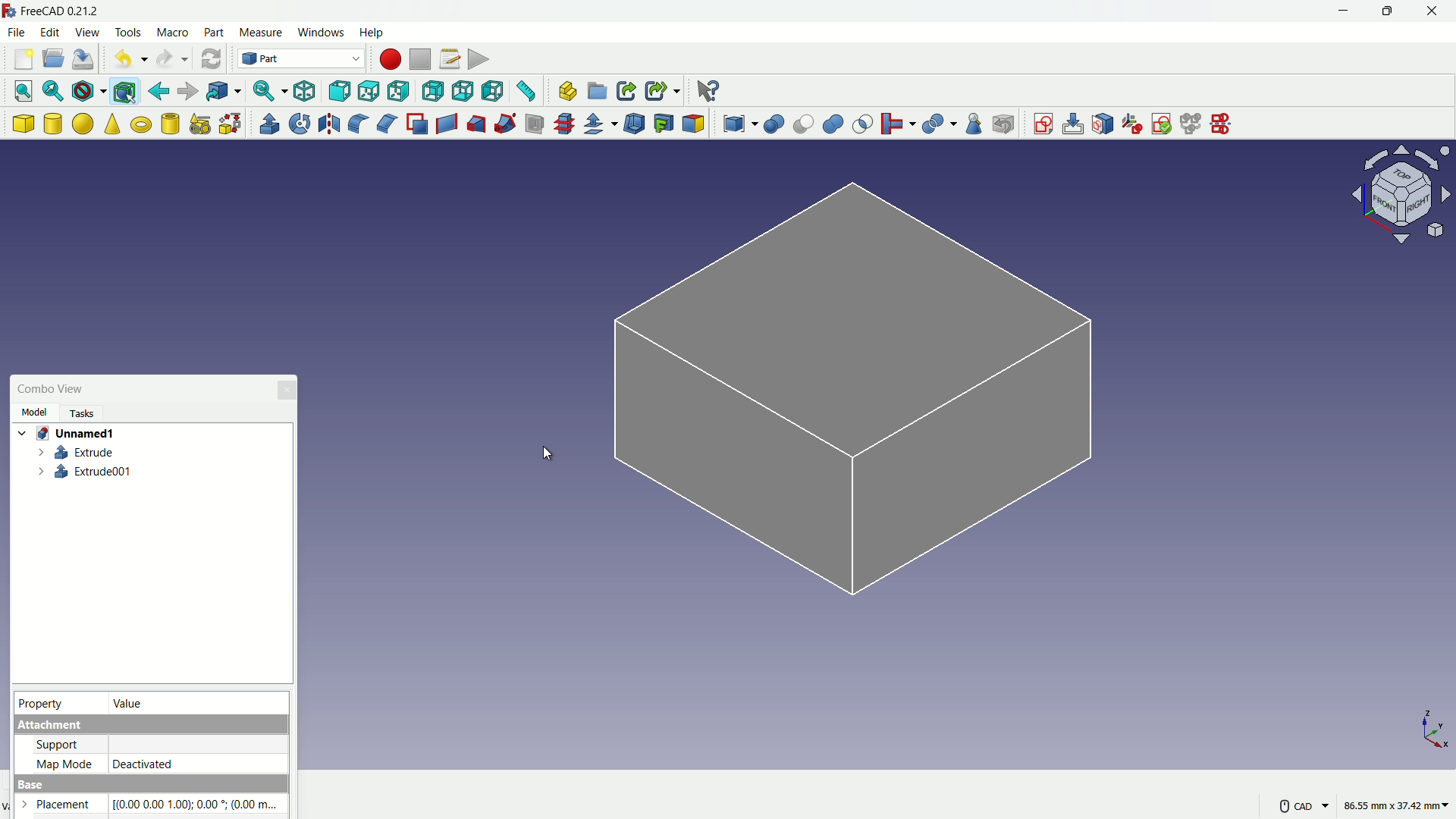  What do you see at coordinates (210, 58) in the screenshot?
I see `refresh` at bounding box center [210, 58].